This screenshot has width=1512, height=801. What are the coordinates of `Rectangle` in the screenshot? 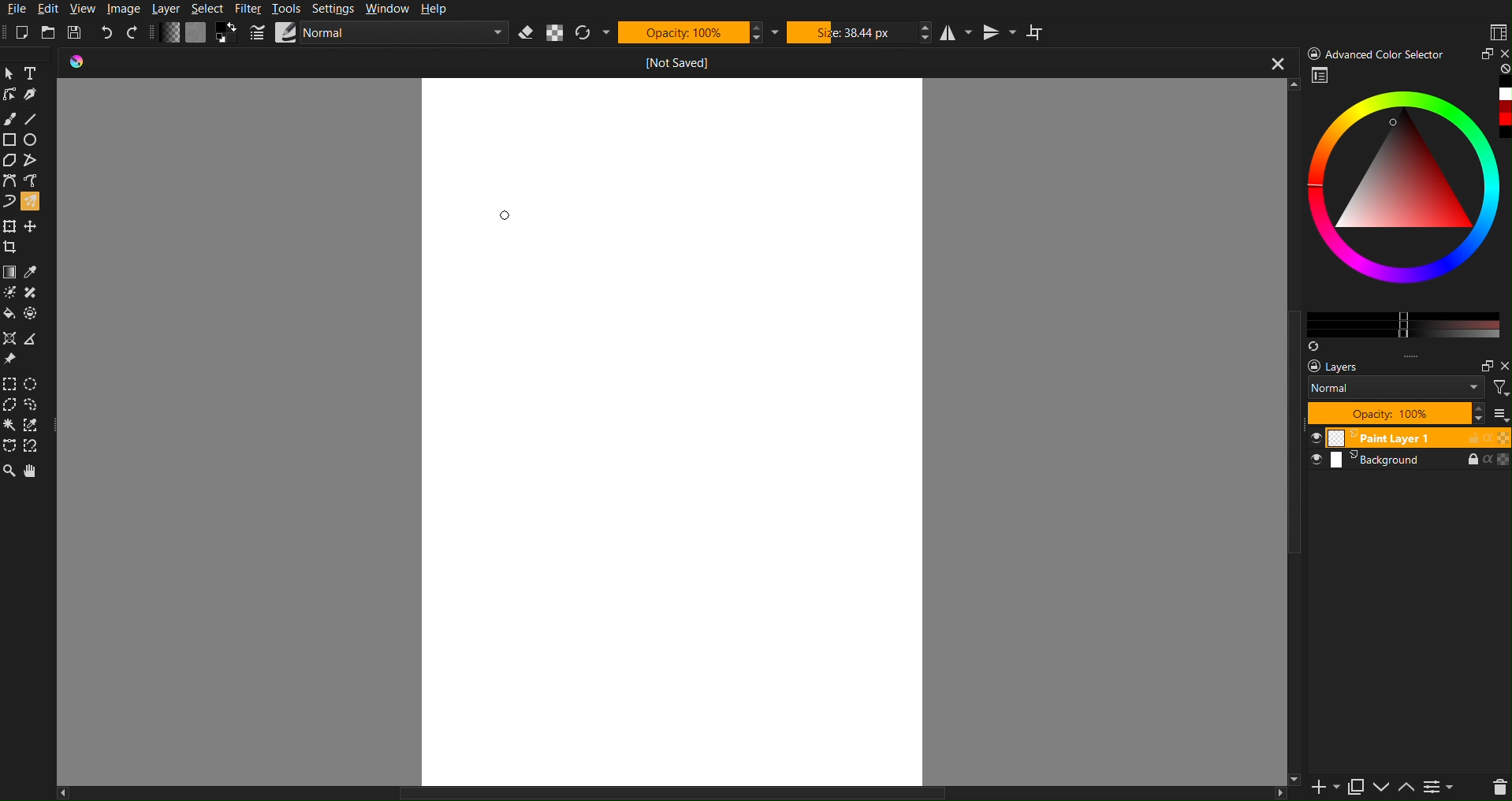 It's located at (10, 140).